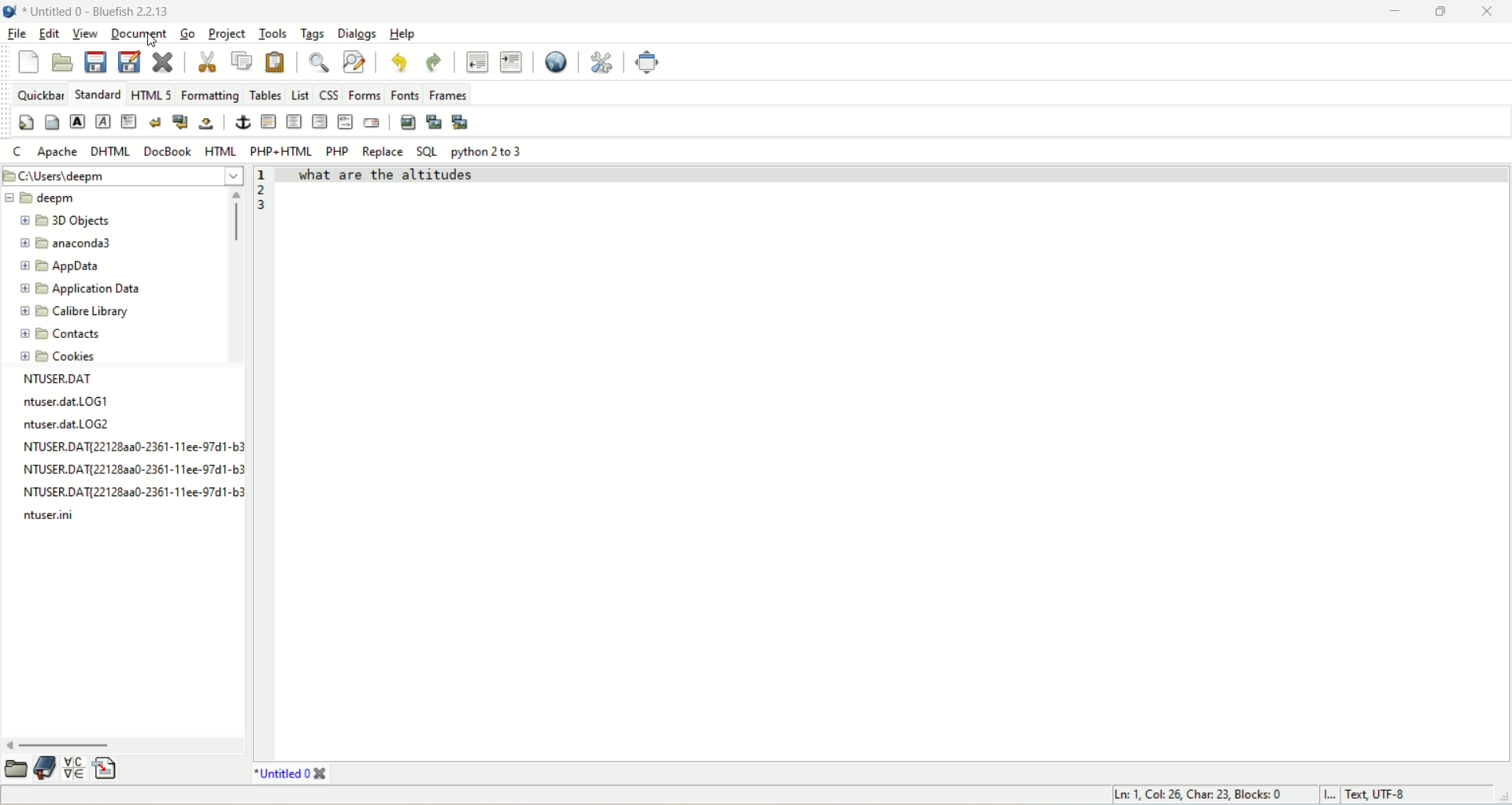  Describe the element at coordinates (358, 35) in the screenshot. I see `dialogs` at that location.